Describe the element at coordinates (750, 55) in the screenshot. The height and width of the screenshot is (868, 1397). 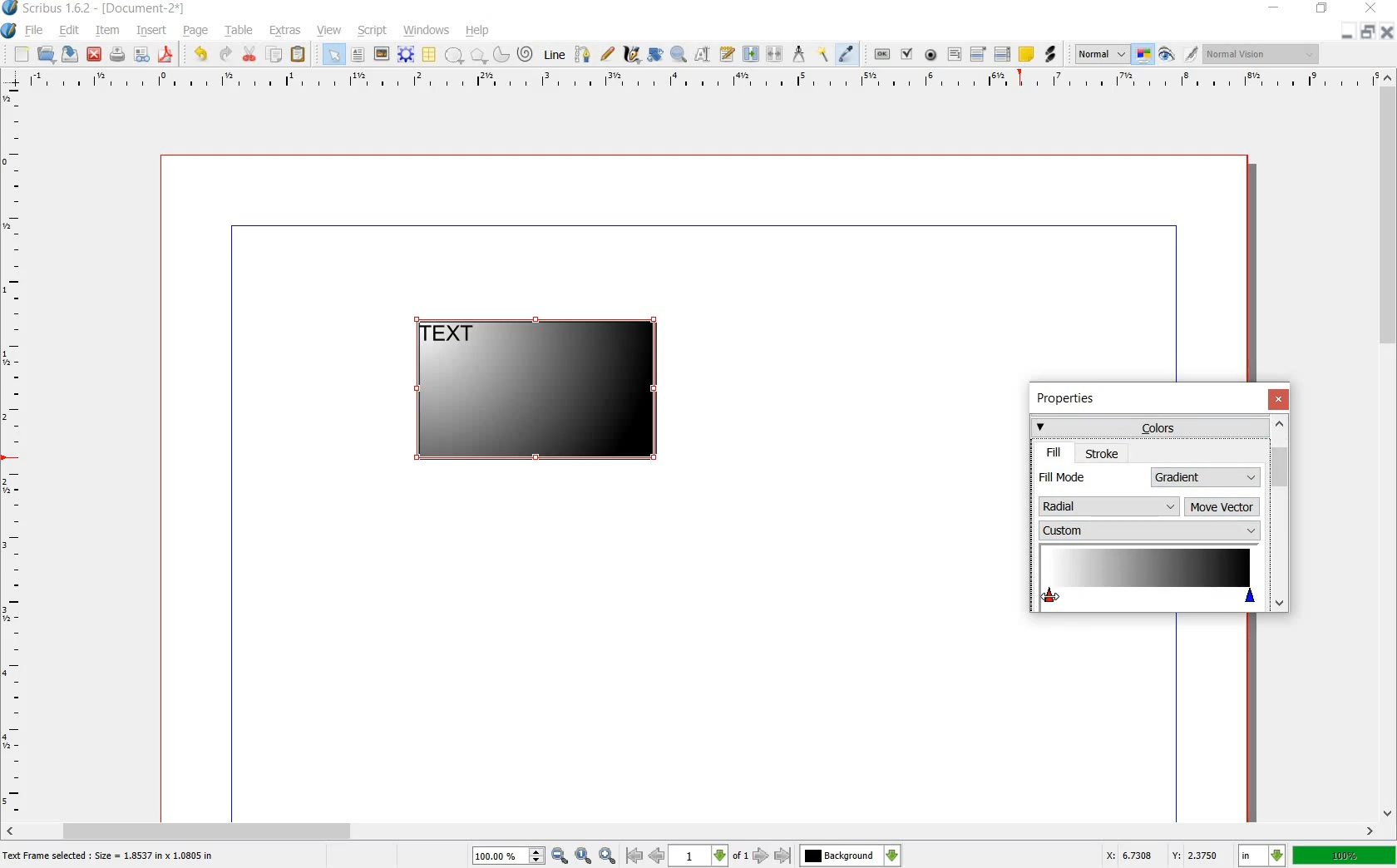
I see `link text frame` at that location.